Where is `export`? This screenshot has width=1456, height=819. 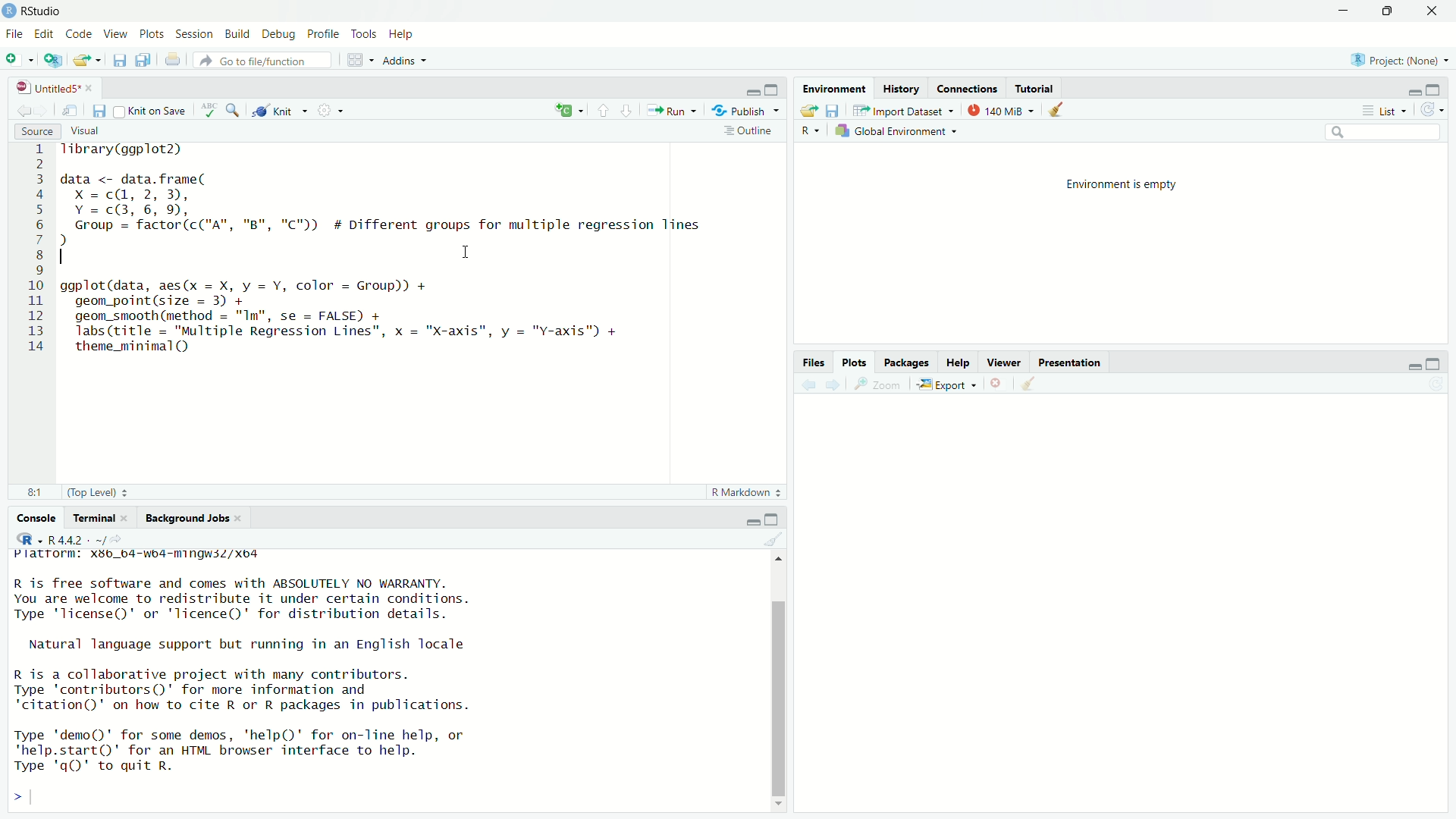
export is located at coordinates (809, 110).